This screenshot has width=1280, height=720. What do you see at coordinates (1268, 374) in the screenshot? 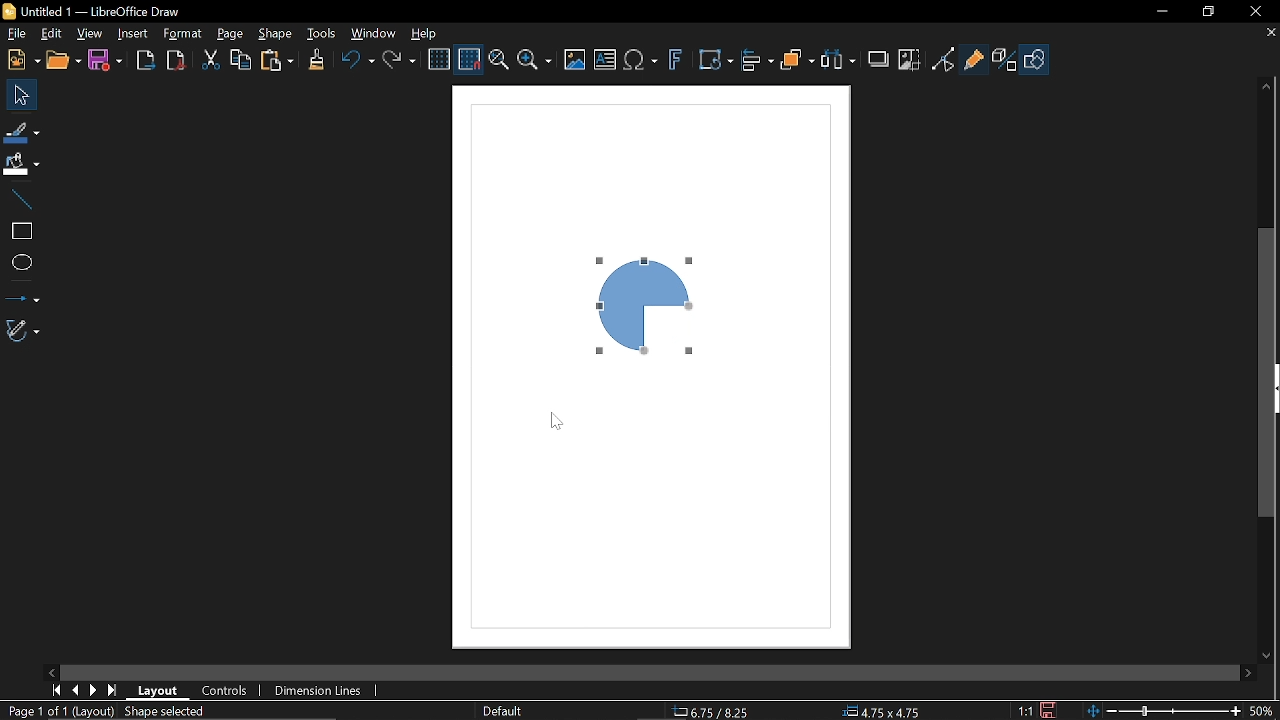
I see `vertical scrollbar` at bounding box center [1268, 374].